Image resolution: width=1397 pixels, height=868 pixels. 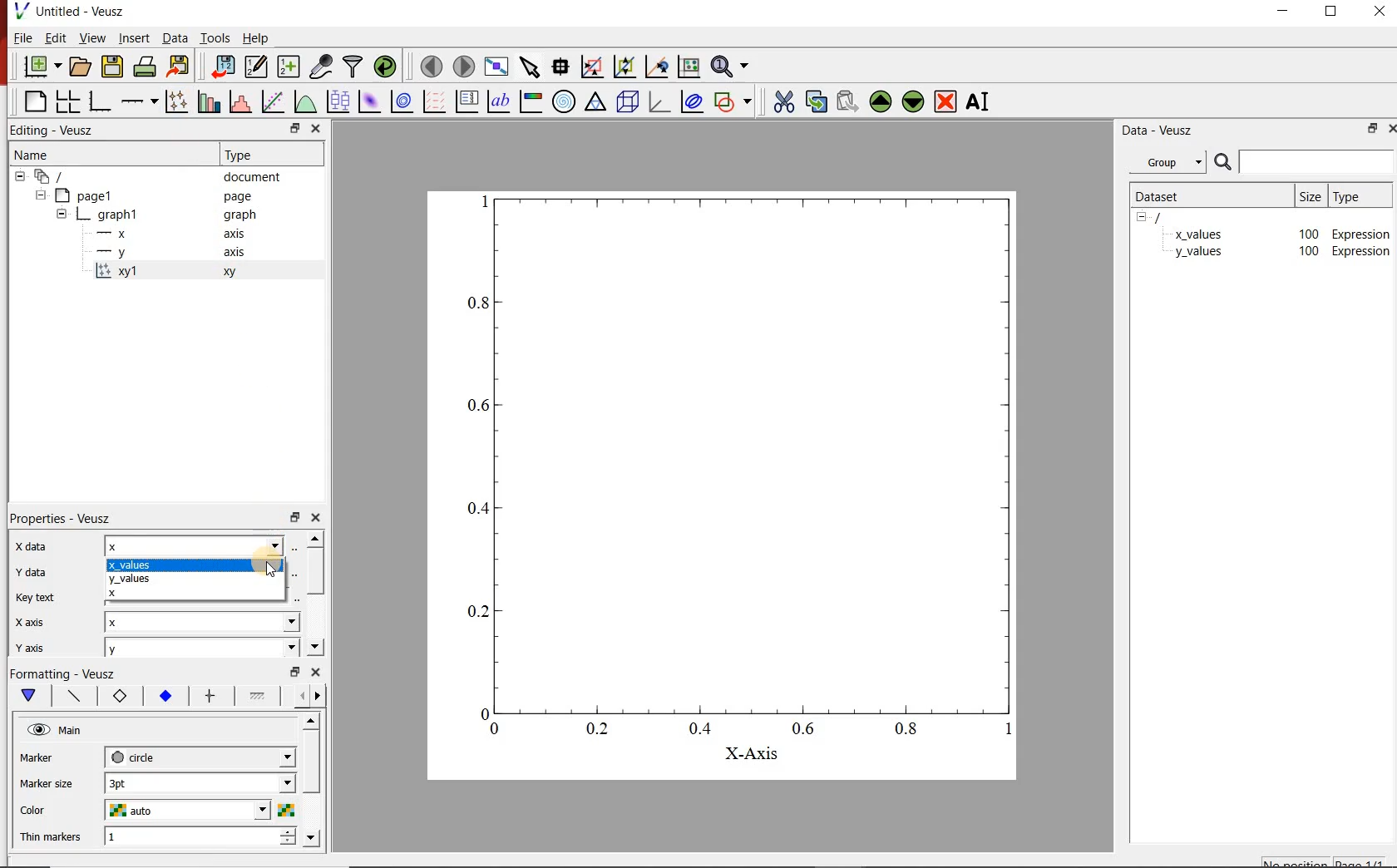 I want to click on plot points, so click(x=175, y=102).